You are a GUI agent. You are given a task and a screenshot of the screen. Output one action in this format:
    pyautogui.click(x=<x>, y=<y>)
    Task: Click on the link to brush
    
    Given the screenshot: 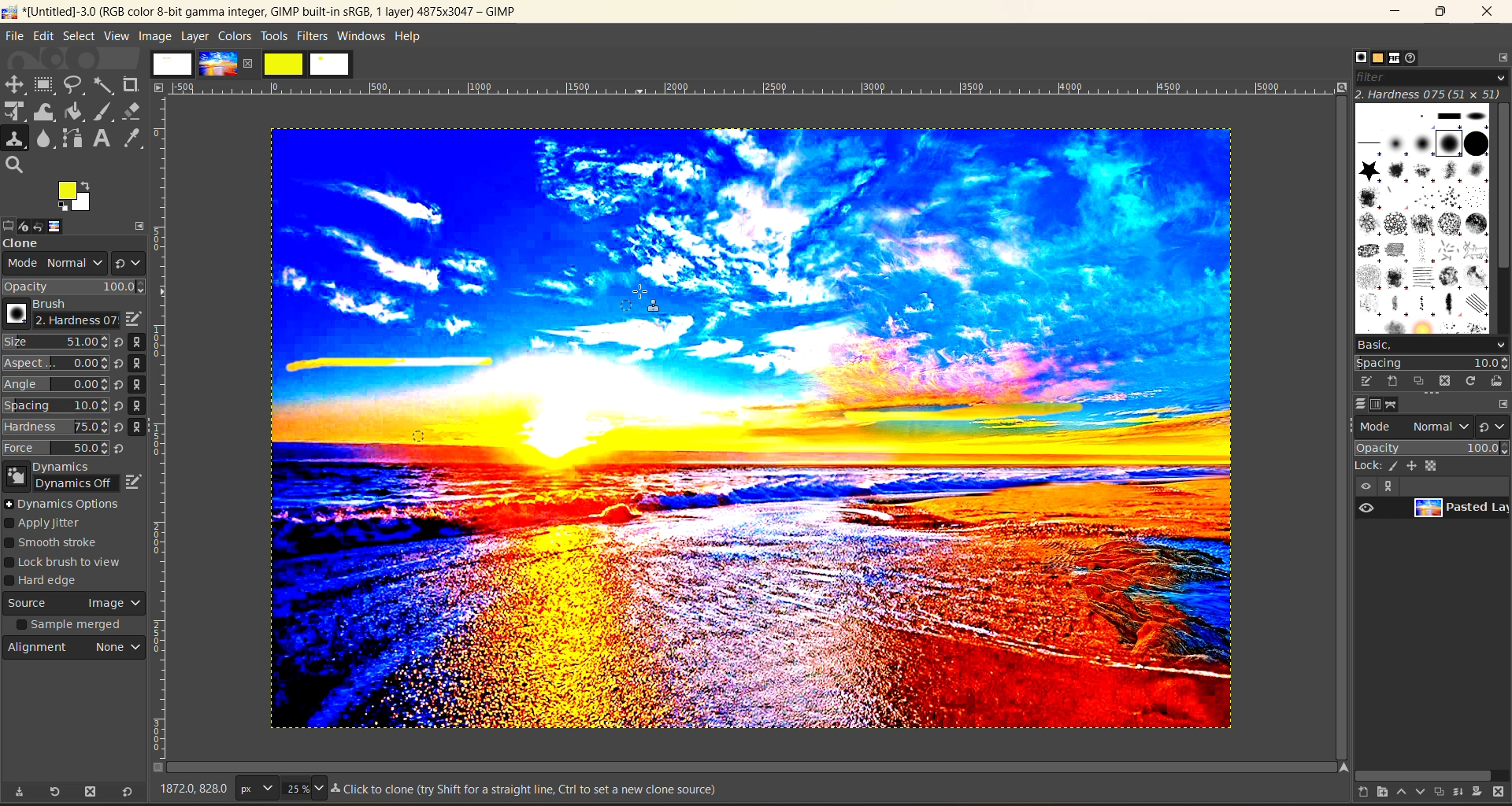 What is the action you would take?
    pyautogui.click(x=142, y=387)
    